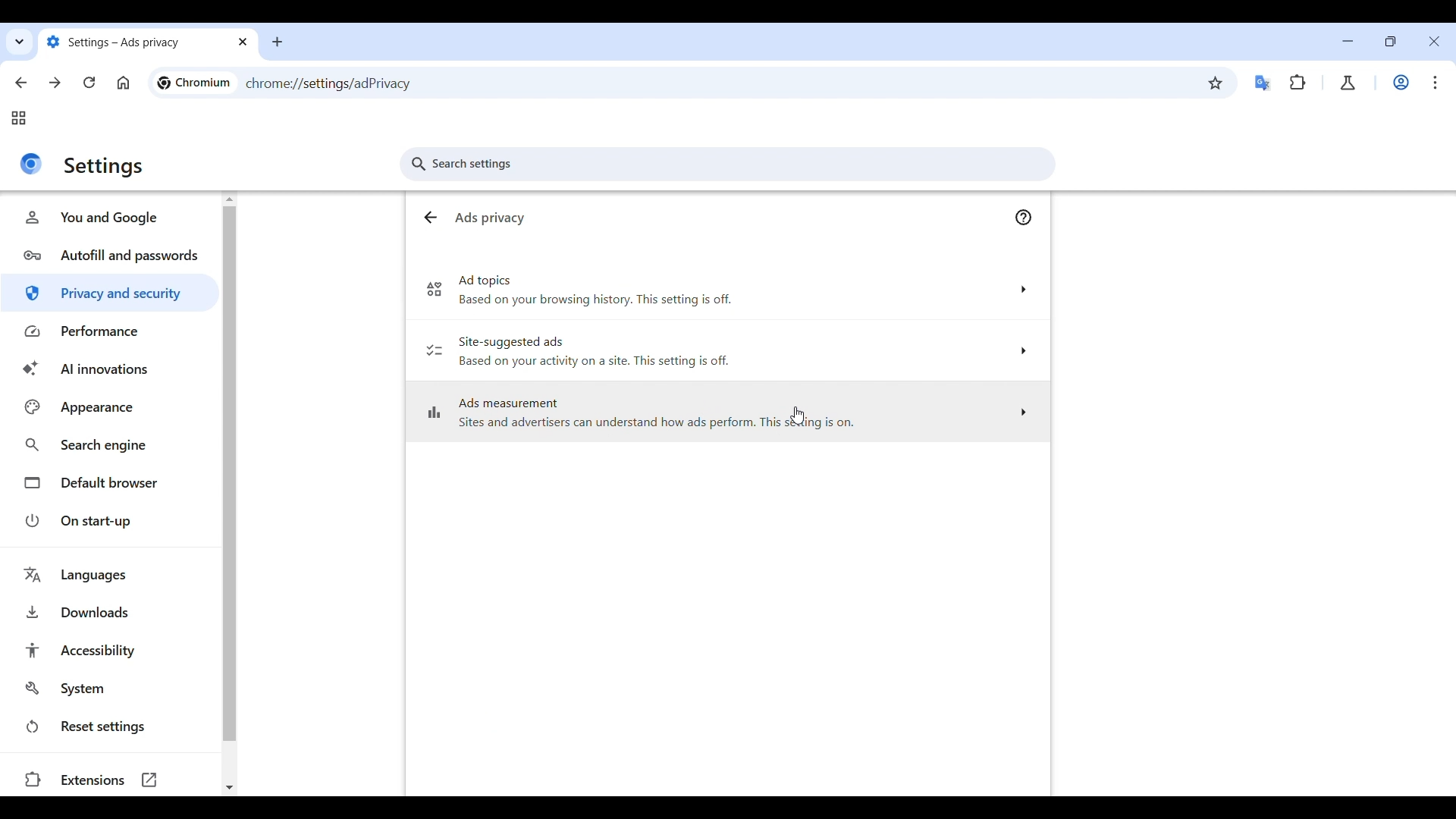 Image resolution: width=1456 pixels, height=819 pixels. What do you see at coordinates (277, 42) in the screenshot?
I see `Add new tab` at bounding box center [277, 42].